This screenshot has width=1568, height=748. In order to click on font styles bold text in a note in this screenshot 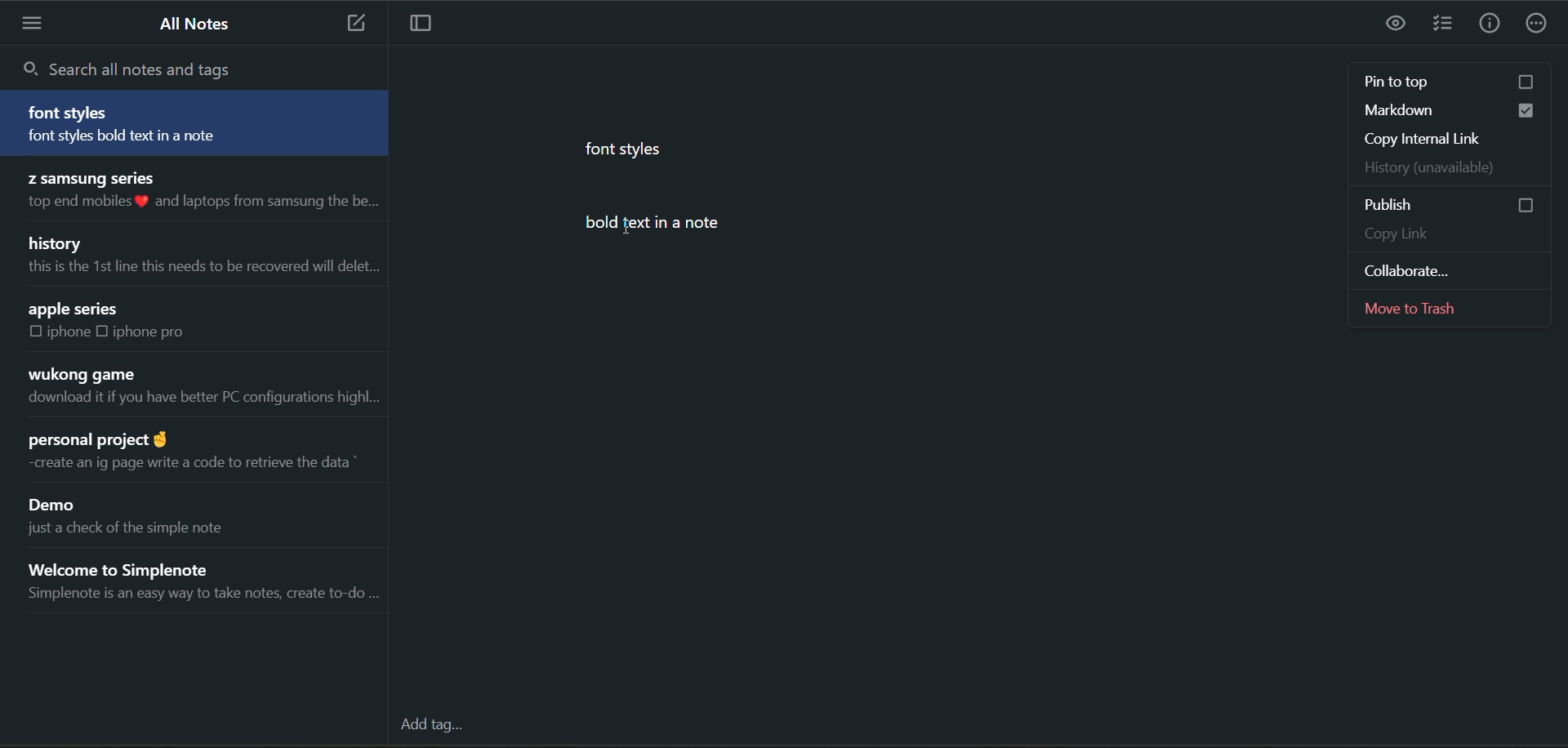, I will do `click(154, 138)`.